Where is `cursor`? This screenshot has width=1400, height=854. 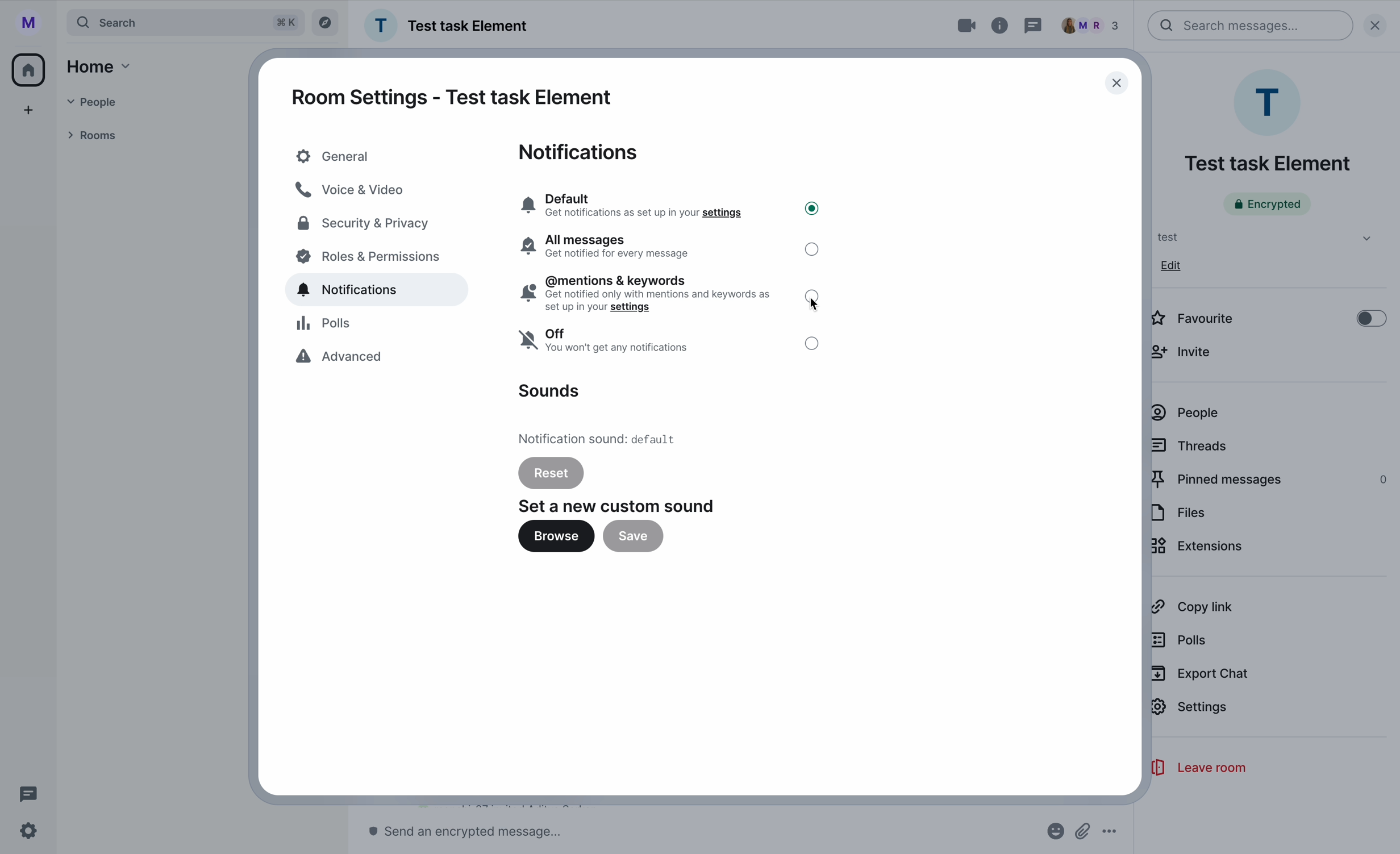 cursor is located at coordinates (817, 307).